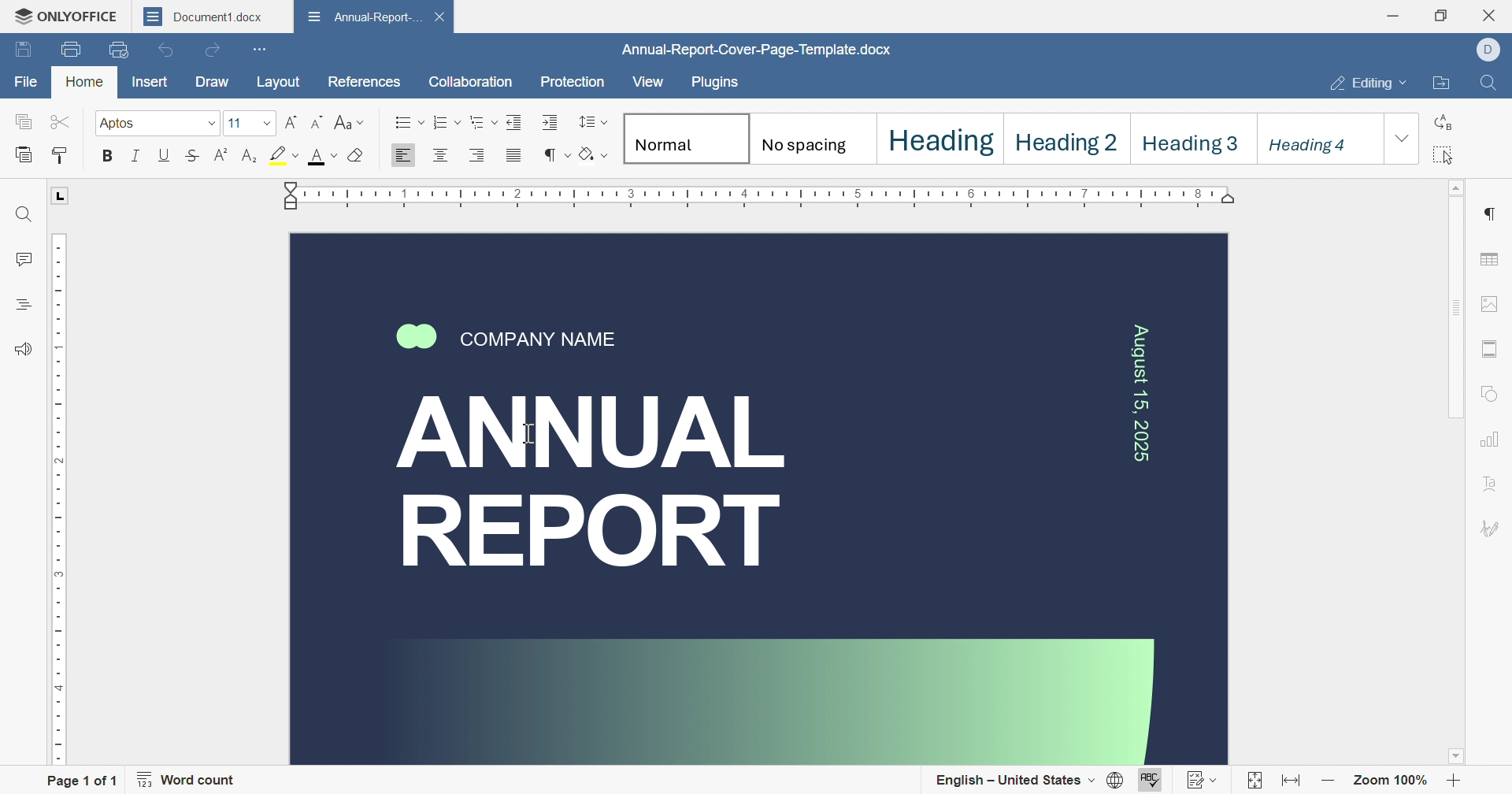  What do you see at coordinates (165, 156) in the screenshot?
I see `underline` at bounding box center [165, 156].